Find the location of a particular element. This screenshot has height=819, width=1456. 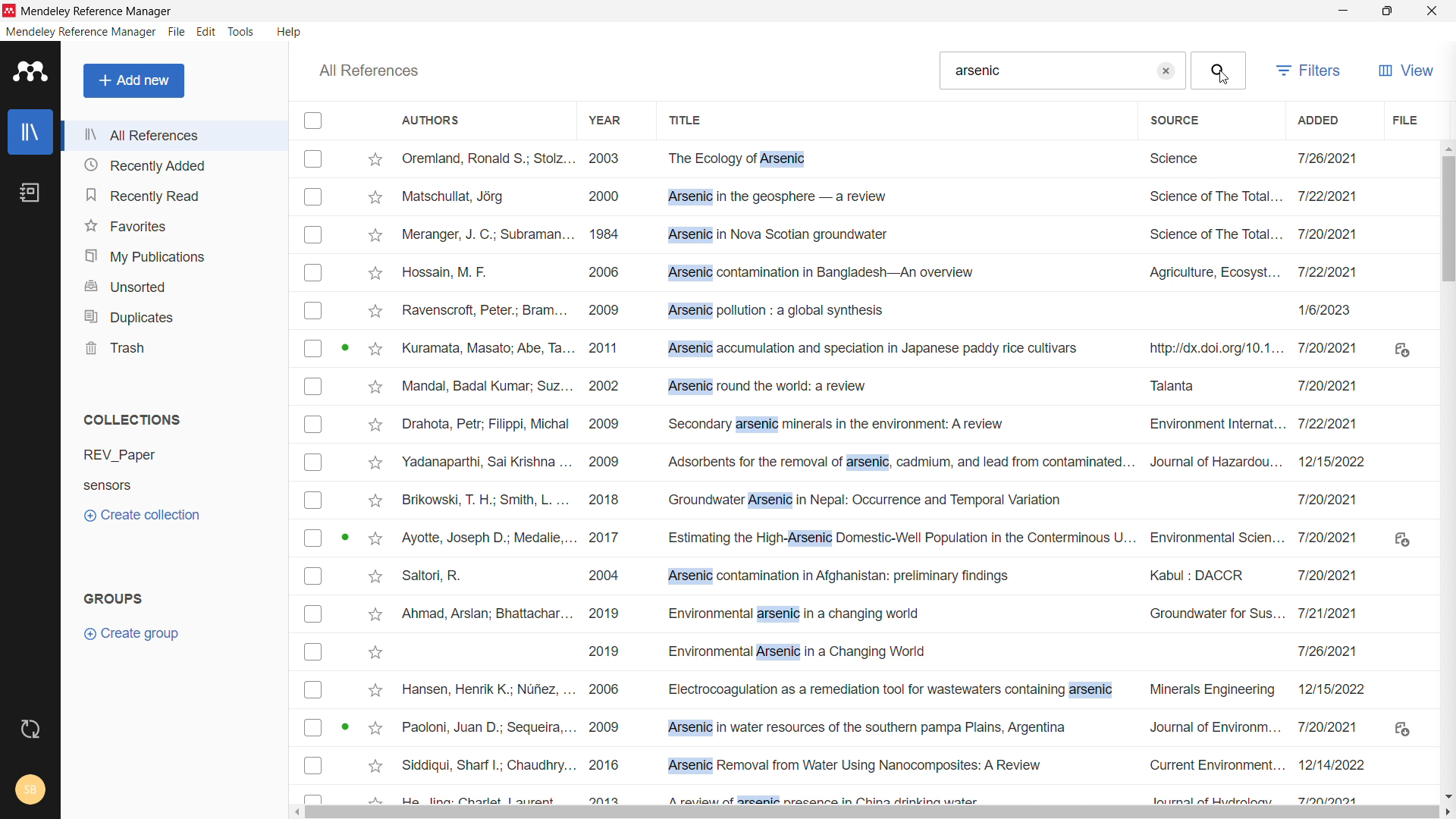

all references is located at coordinates (370, 70).